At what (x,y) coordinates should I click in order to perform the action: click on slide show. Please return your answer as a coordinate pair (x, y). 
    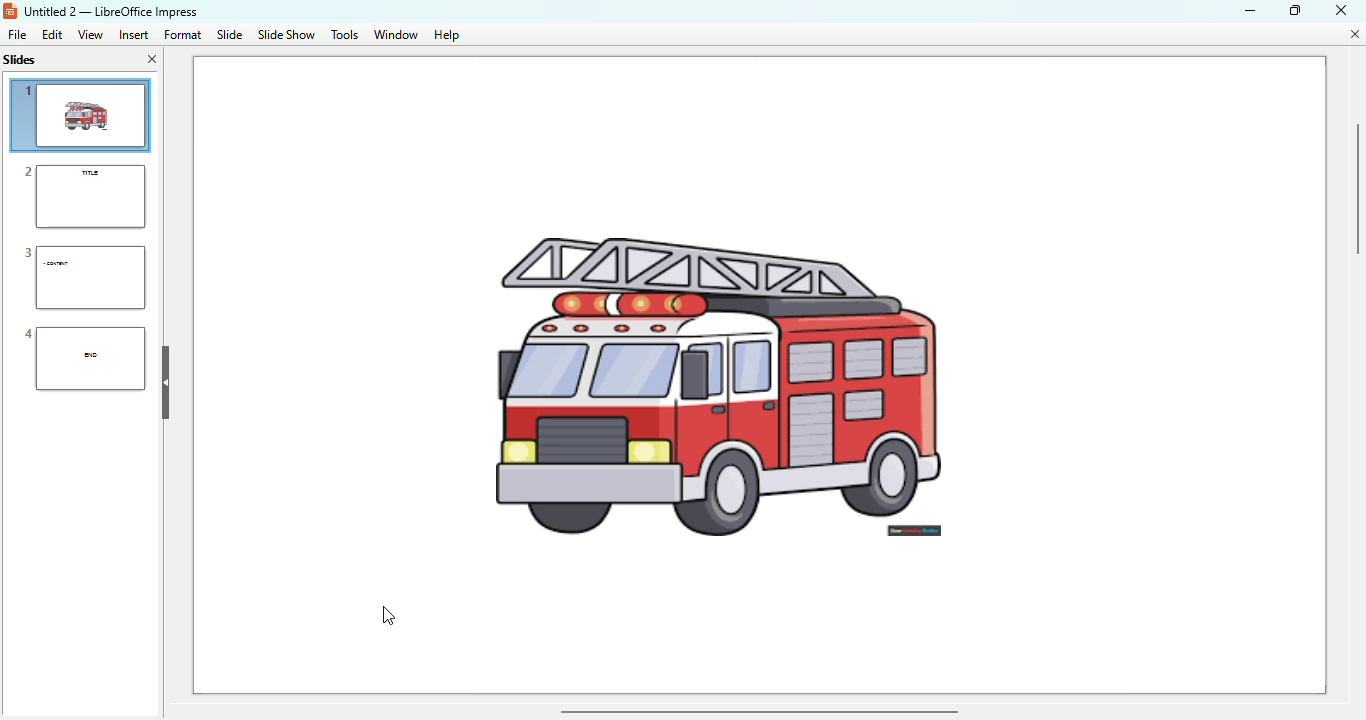
    Looking at the image, I should click on (286, 35).